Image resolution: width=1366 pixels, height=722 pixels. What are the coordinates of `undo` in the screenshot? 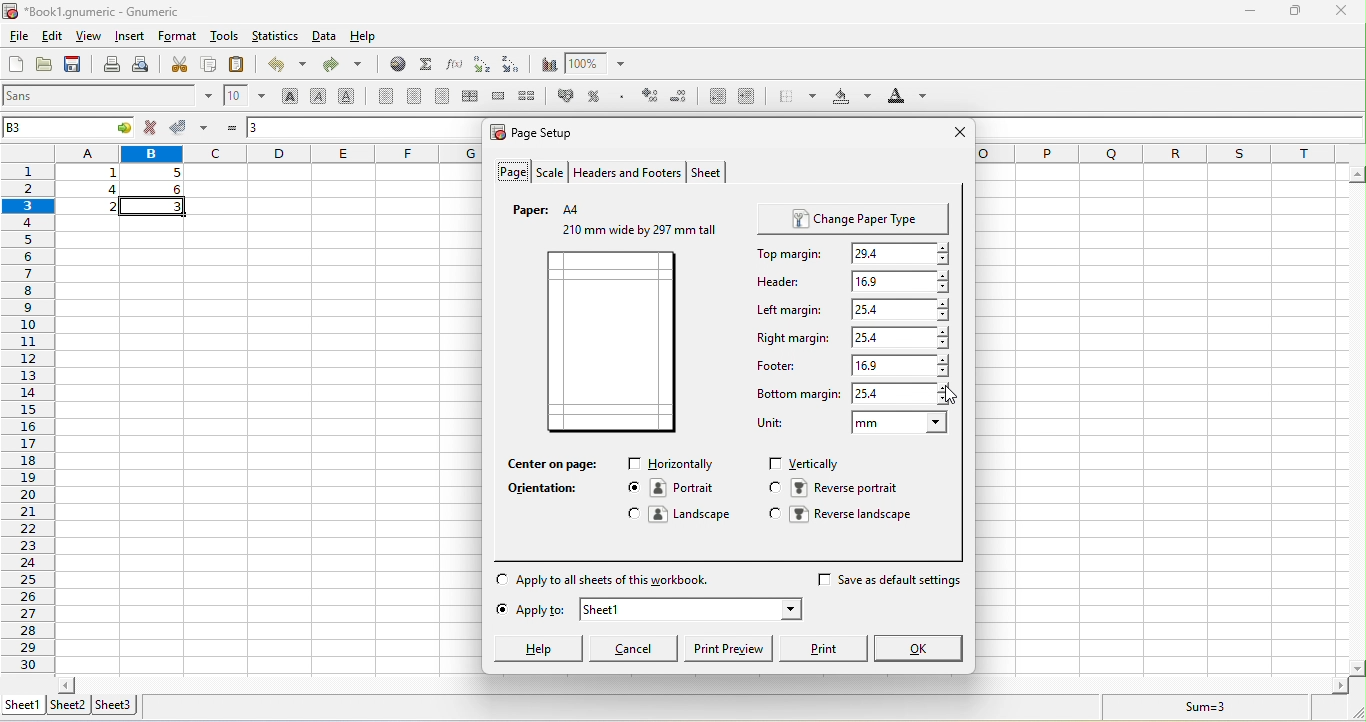 It's located at (280, 66).